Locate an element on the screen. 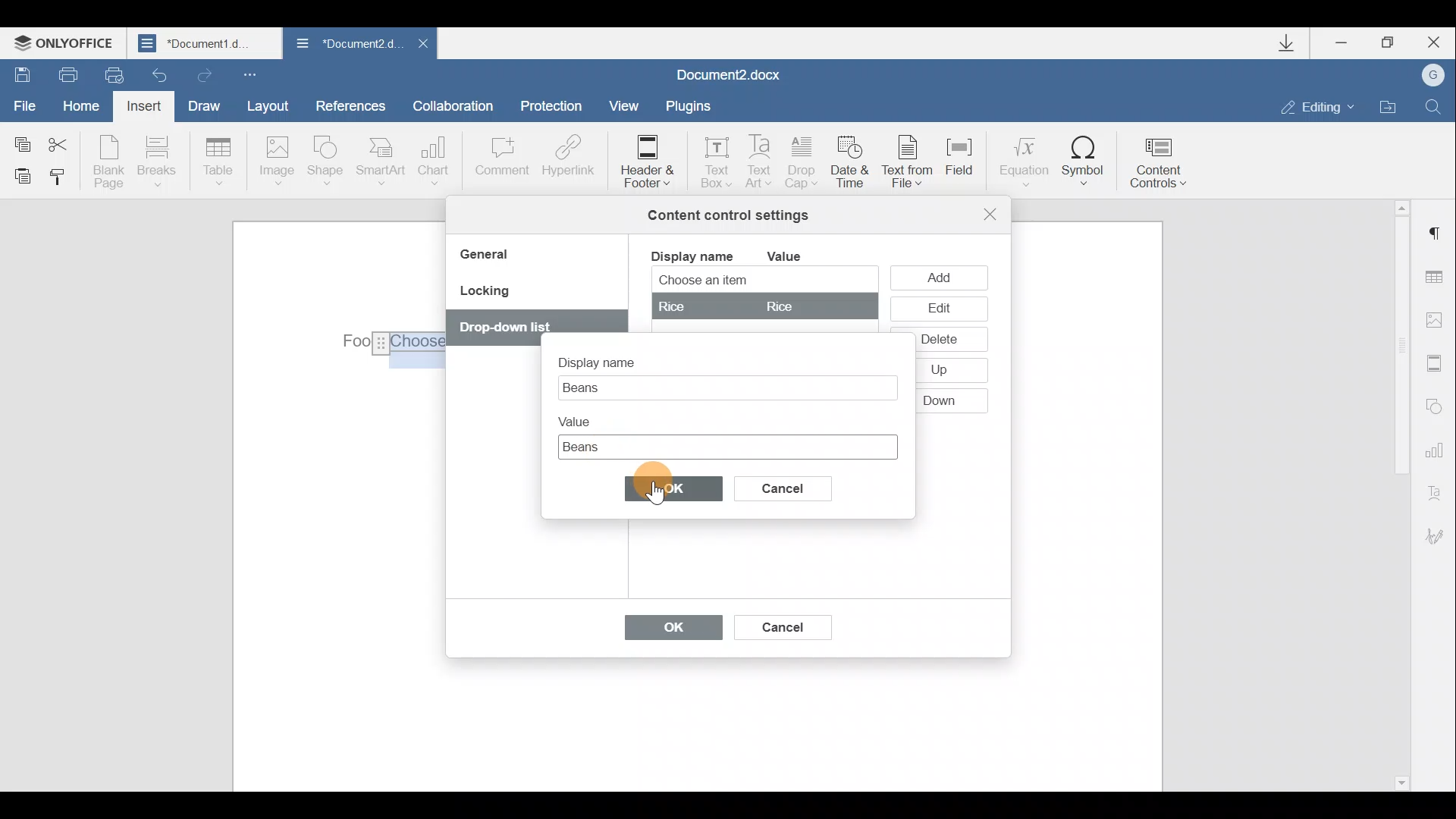 Image resolution: width=1456 pixels, height=819 pixels. rice is located at coordinates (763, 306).